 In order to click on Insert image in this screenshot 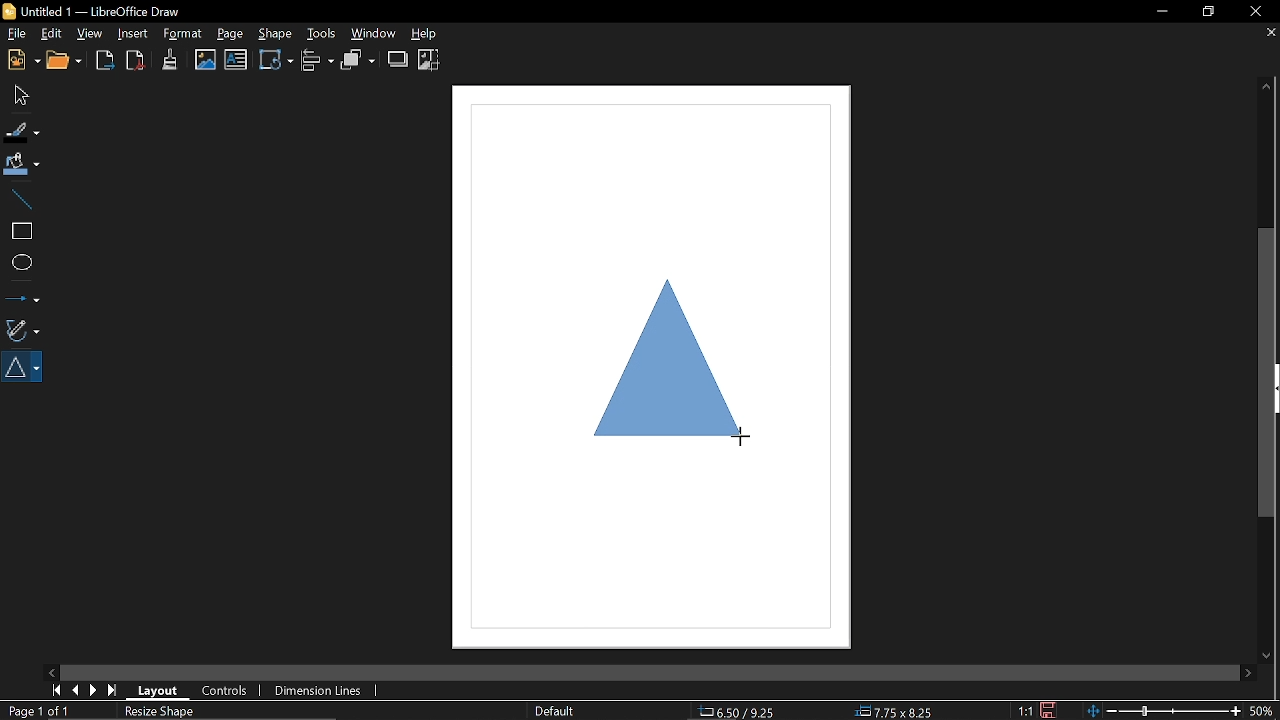, I will do `click(236, 60)`.